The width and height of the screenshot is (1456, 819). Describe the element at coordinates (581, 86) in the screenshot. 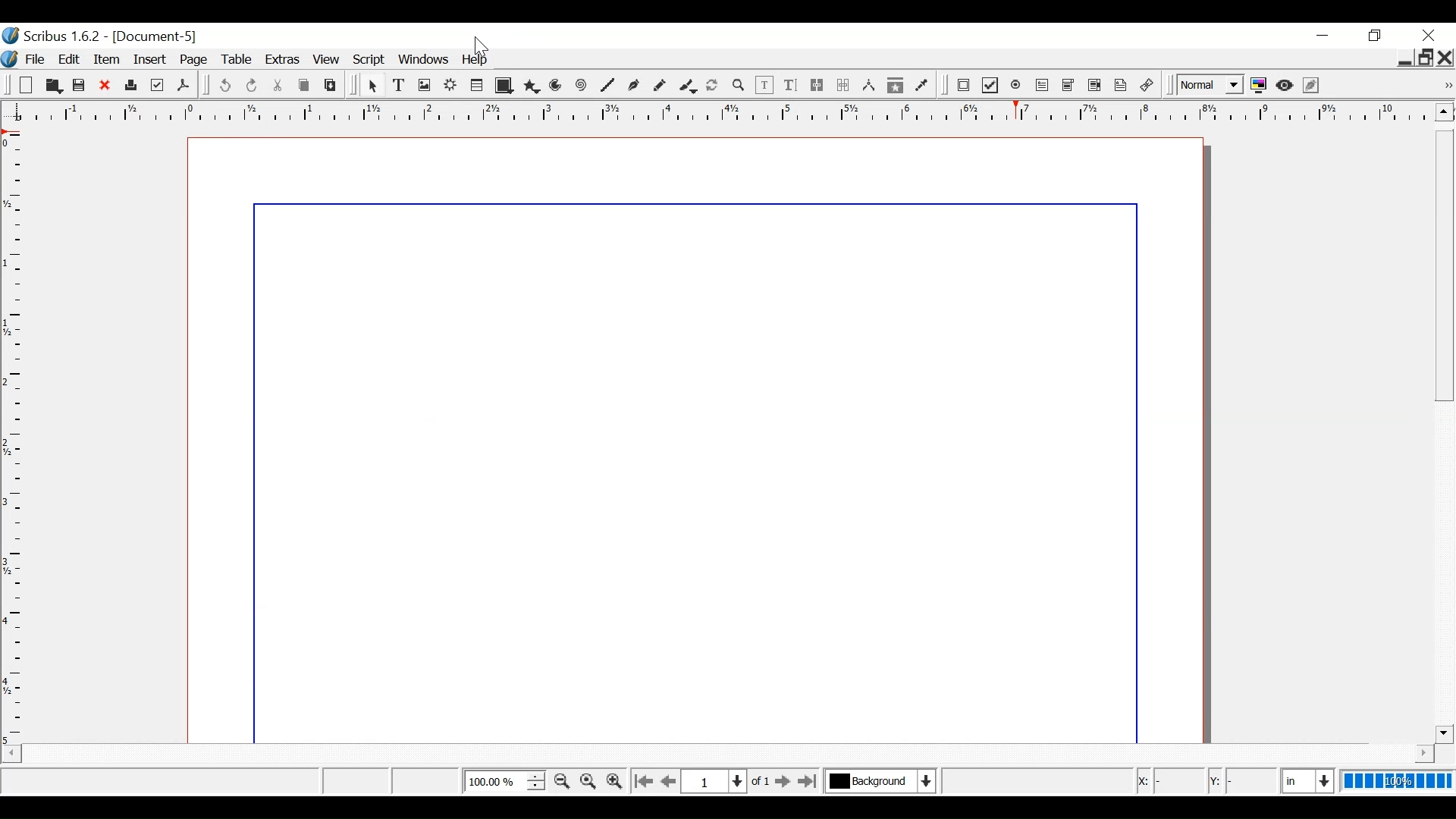

I see `Spiral` at that location.